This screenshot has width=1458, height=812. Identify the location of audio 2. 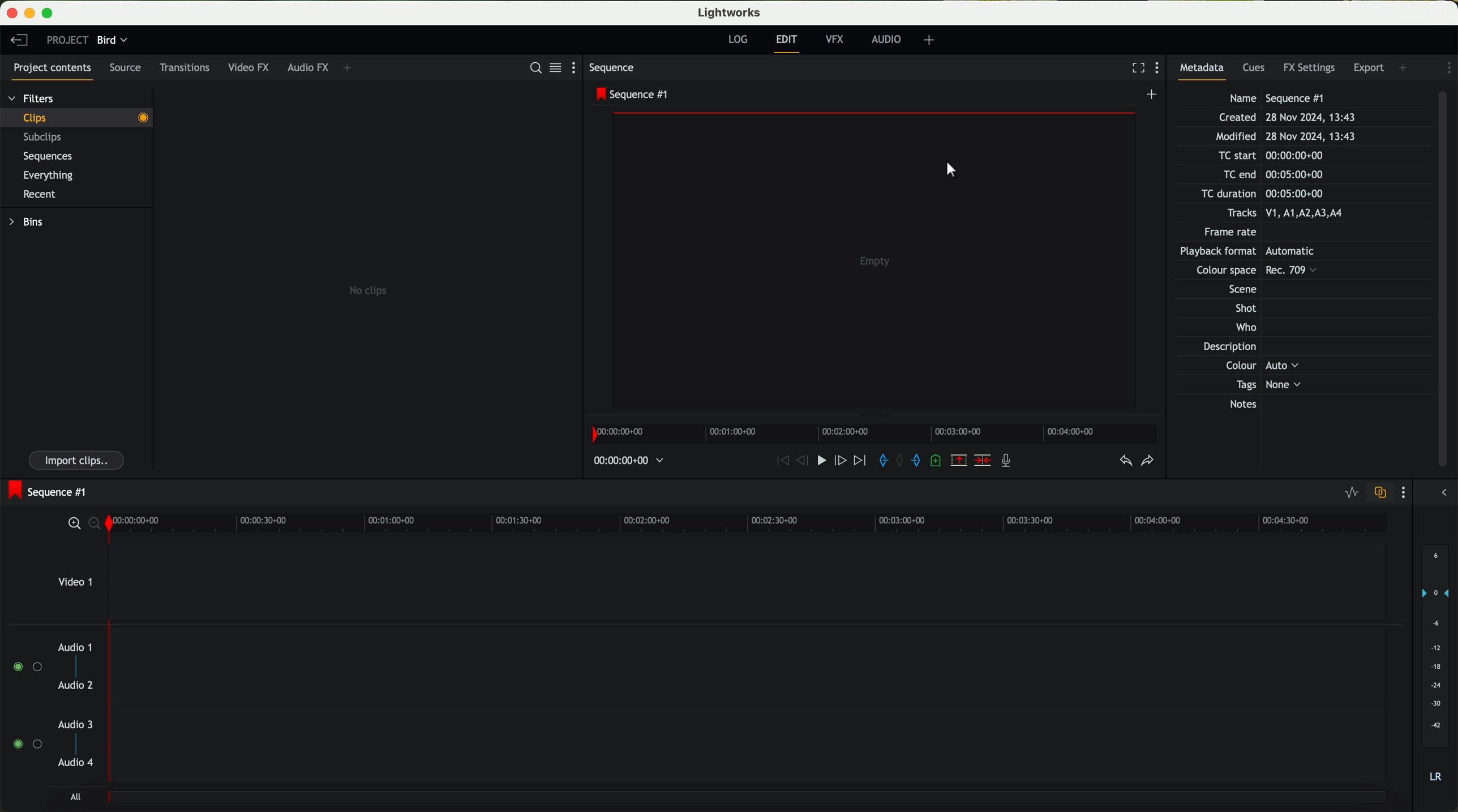
(78, 686).